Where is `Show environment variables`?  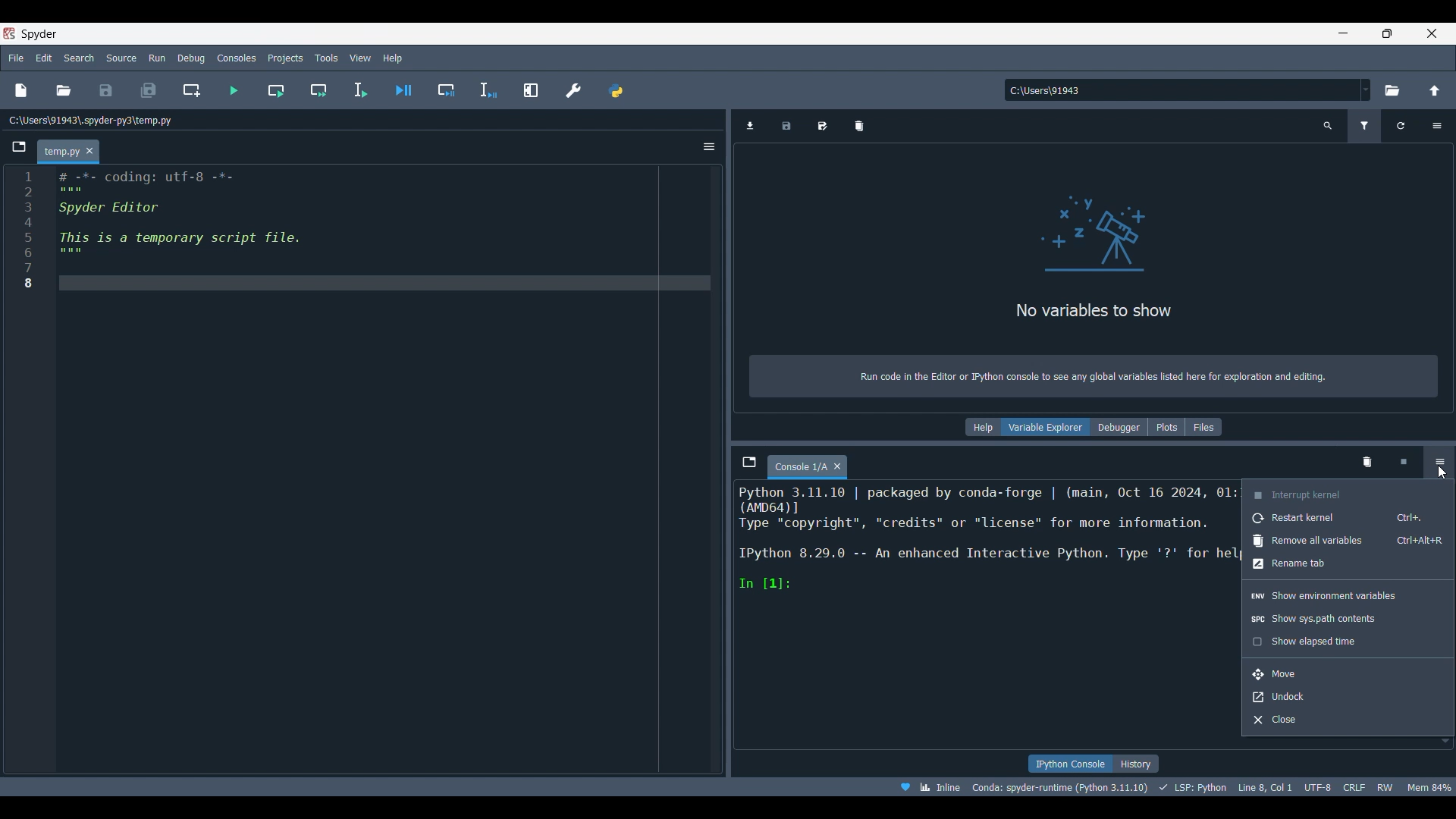 Show environment variables is located at coordinates (1348, 595).